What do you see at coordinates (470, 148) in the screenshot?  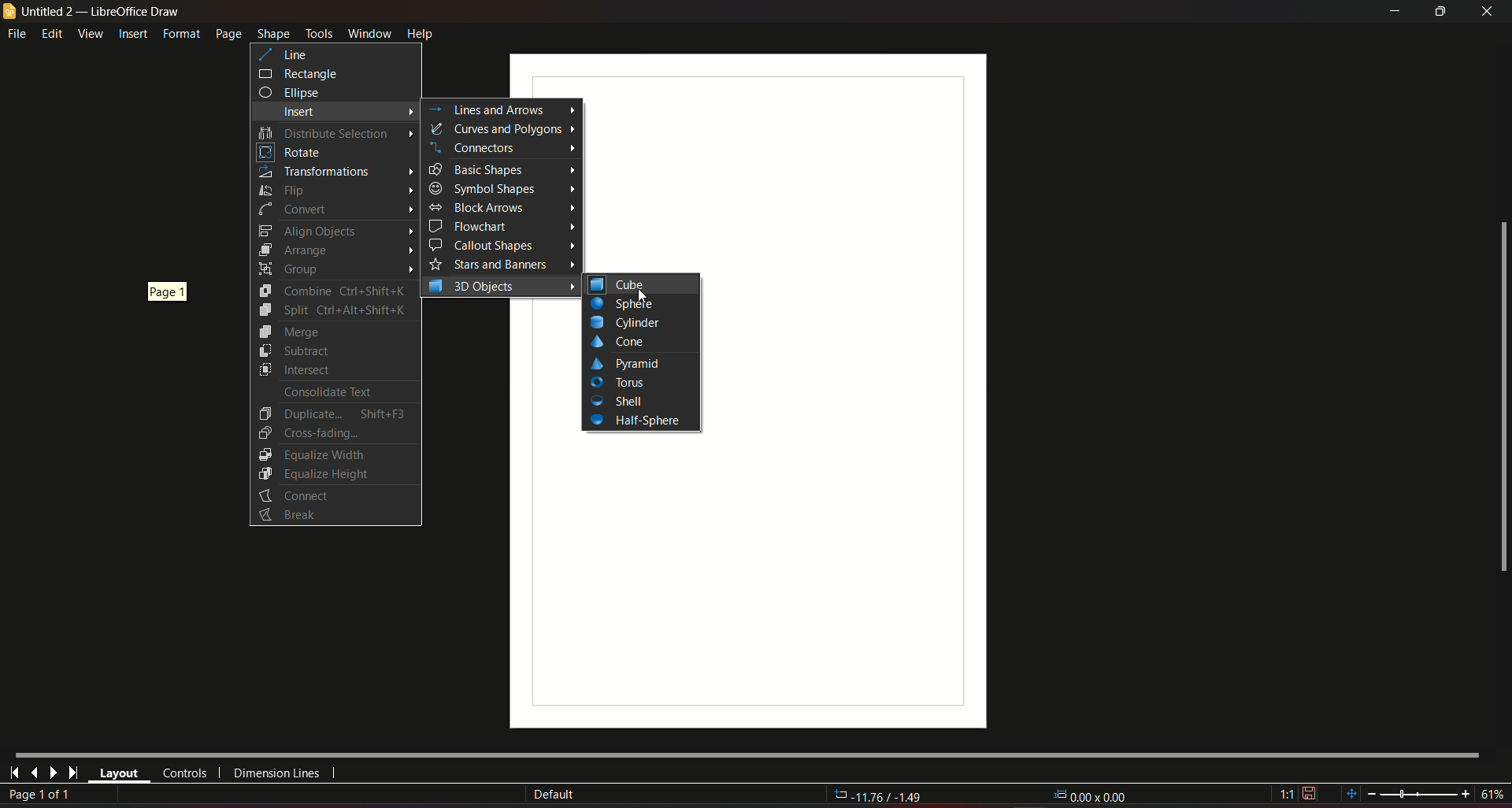 I see `Connectors` at bounding box center [470, 148].